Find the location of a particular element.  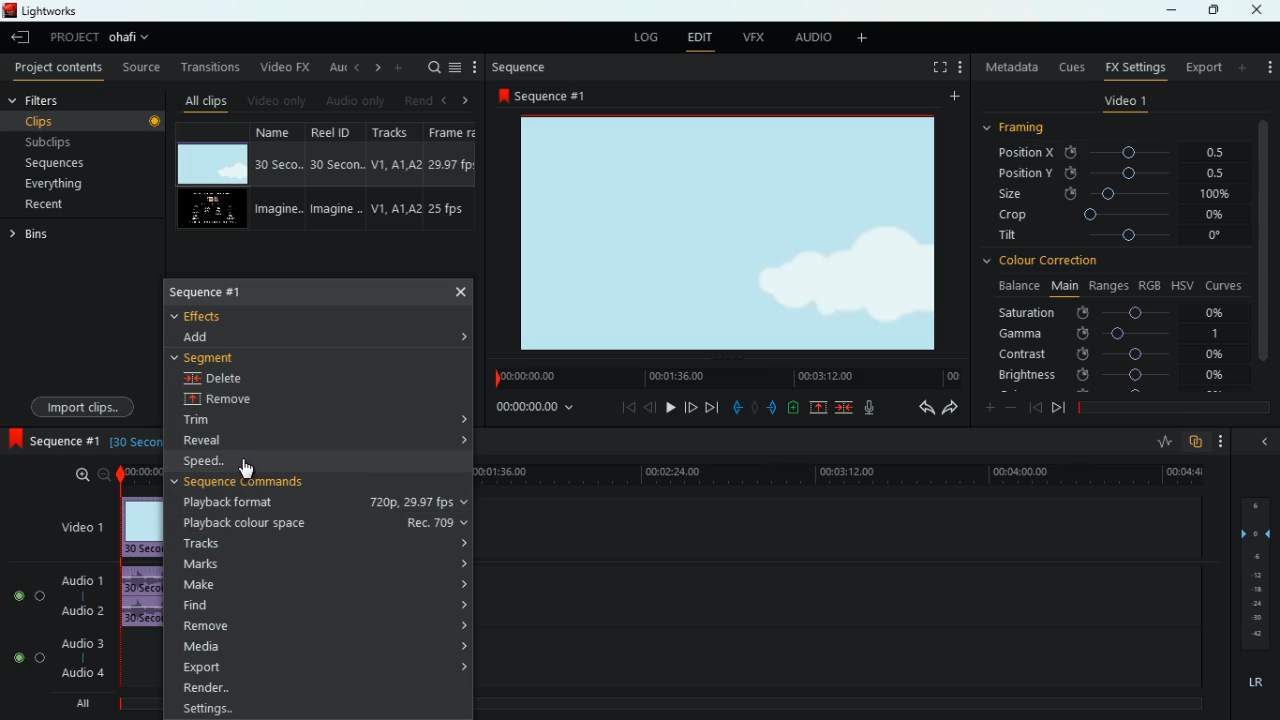

size is located at coordinates (1114, 195).